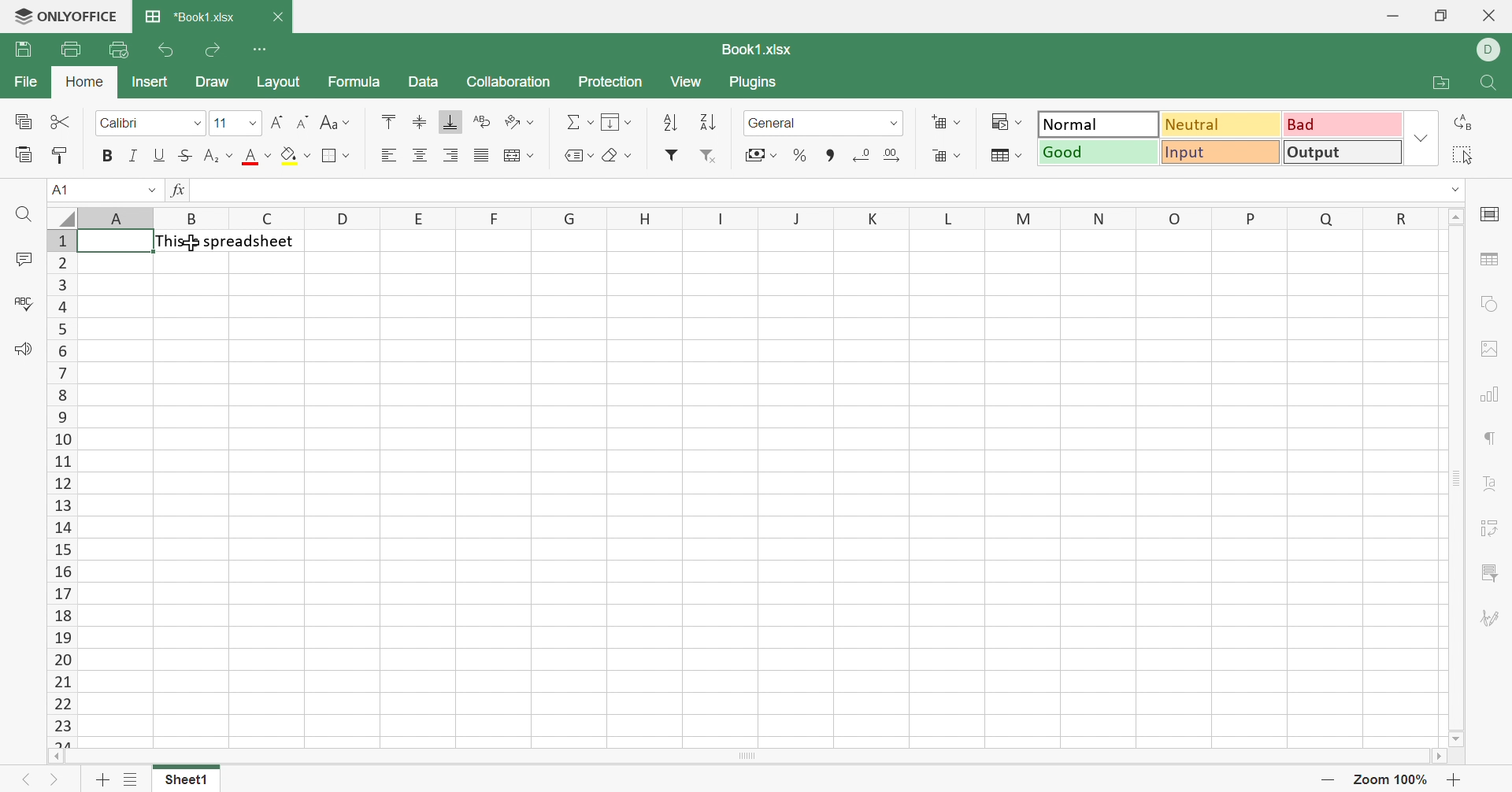 This screenshot has height=792, width=1512. I want to click on Insert cells, so click(936, 120).